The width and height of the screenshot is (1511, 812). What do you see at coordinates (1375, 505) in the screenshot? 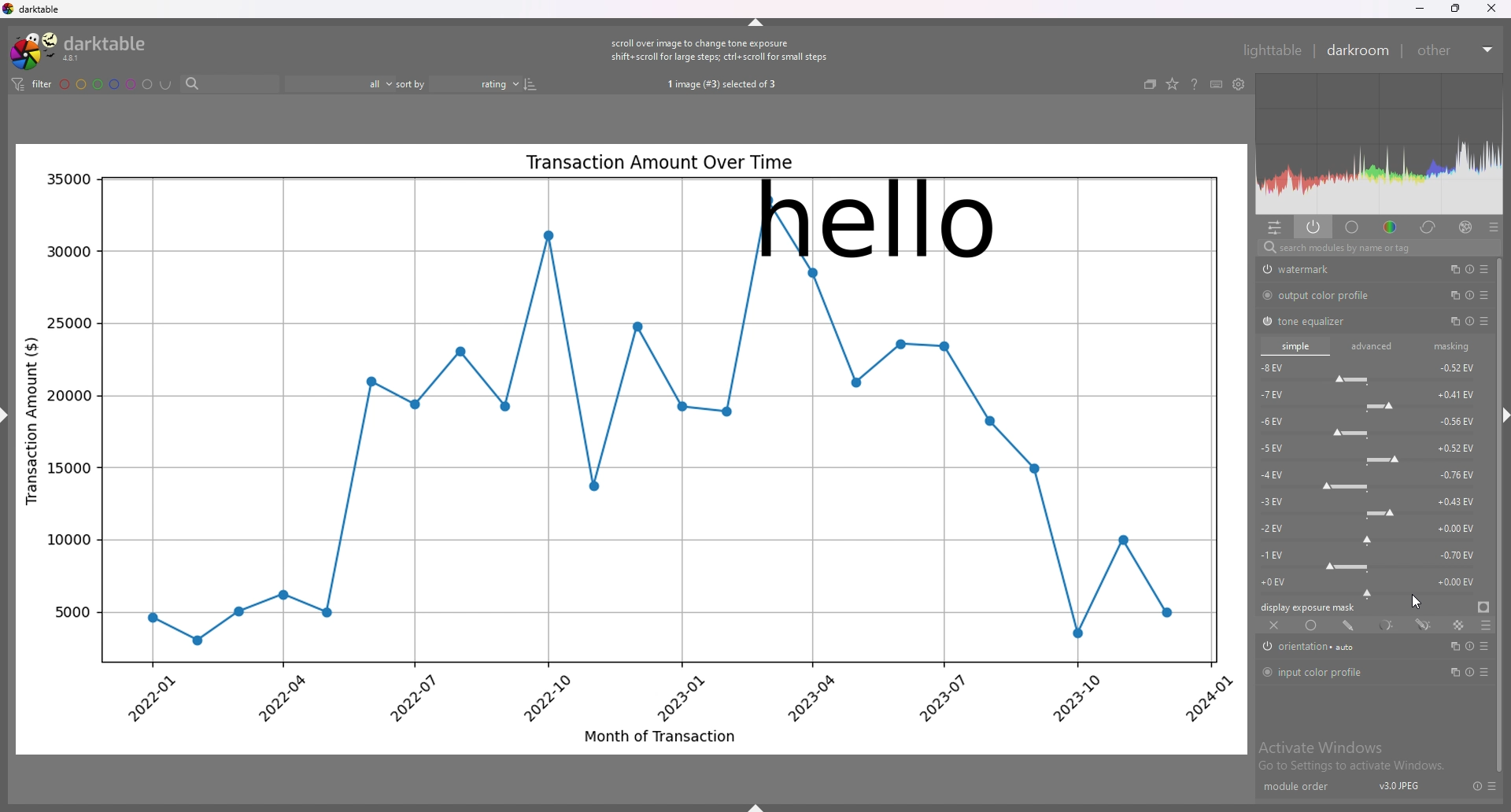
I see `-3 EV force` at bounding box center [1375, 505].